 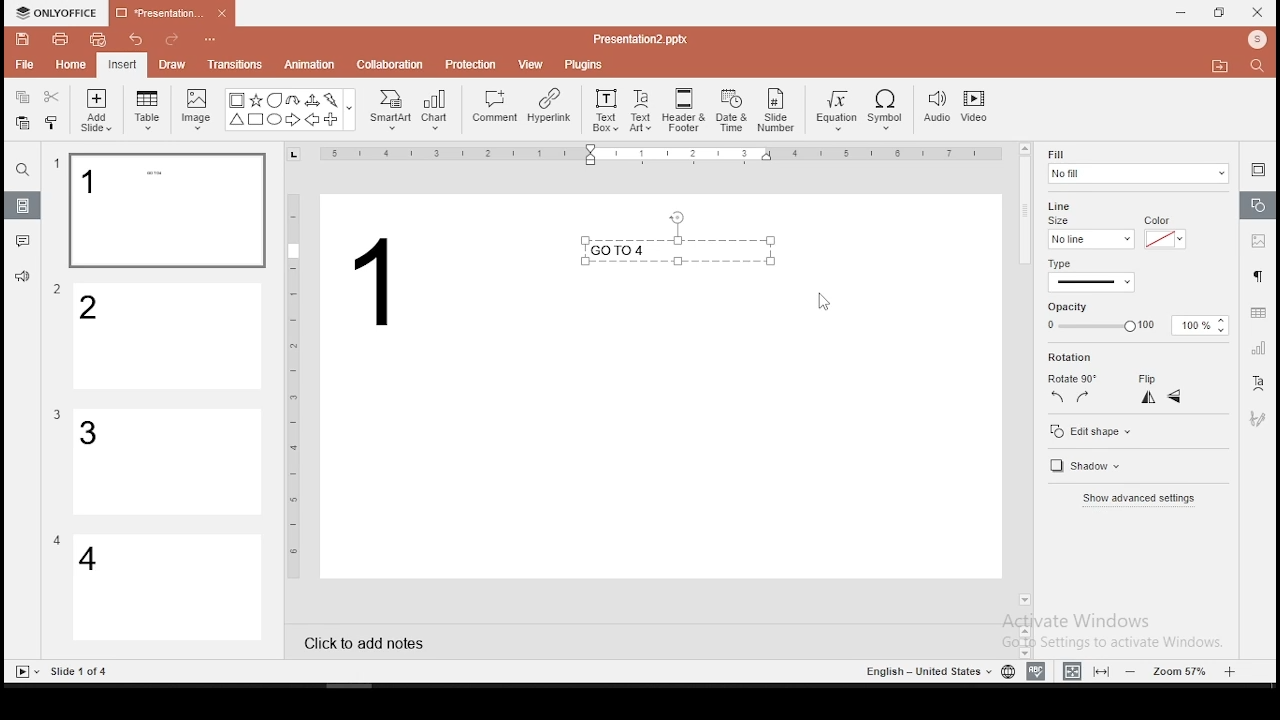 What do you see at coordinates (889, 111) in the screenshot?
I see `symbol` at bounding box center [889, 111].